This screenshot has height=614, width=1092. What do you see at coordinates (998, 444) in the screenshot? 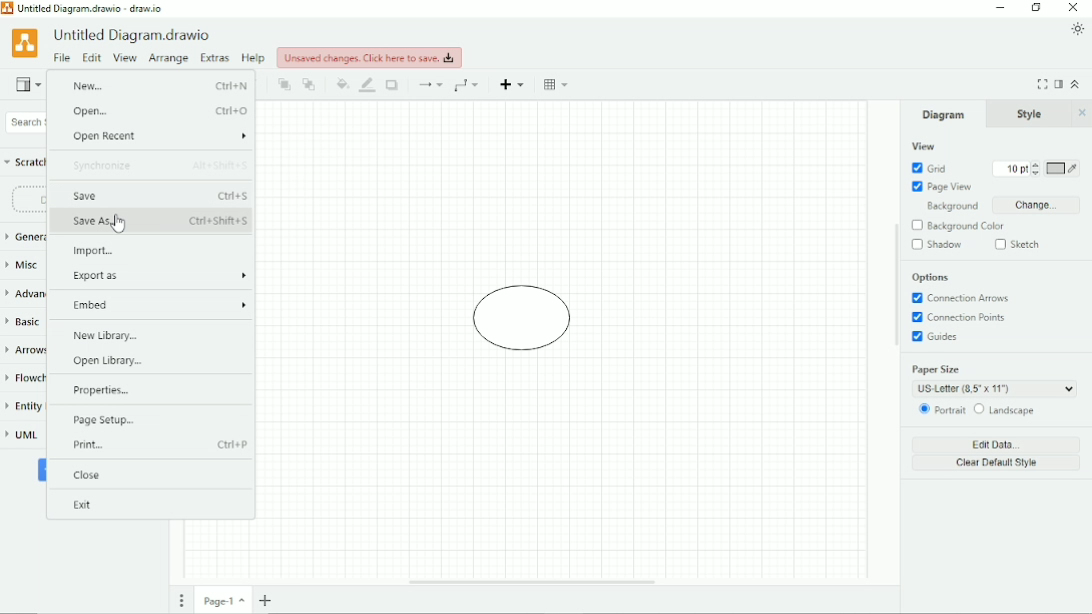
I see `Edit Data` at bounding box center [998, 444].